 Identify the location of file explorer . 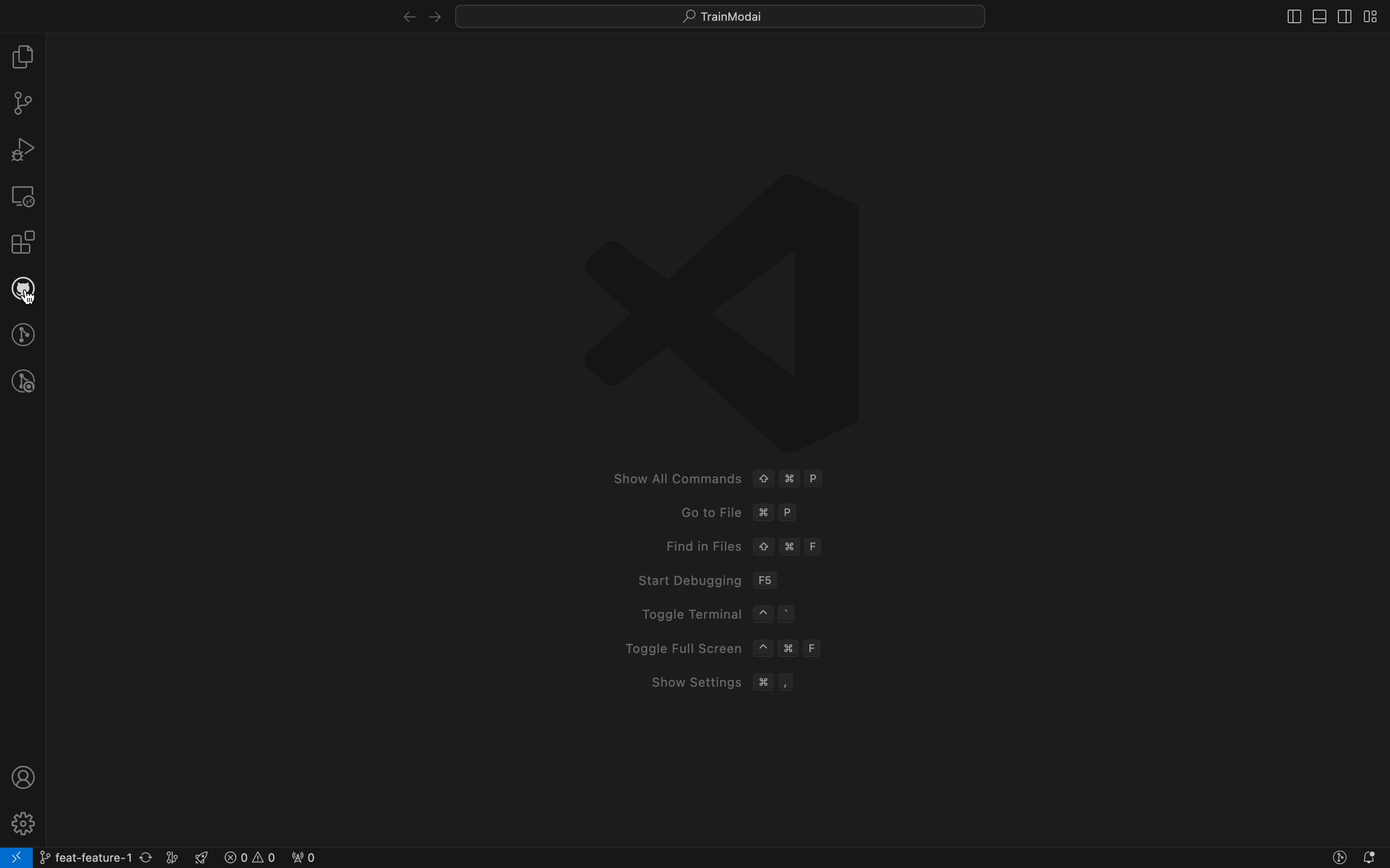
(22, 59).